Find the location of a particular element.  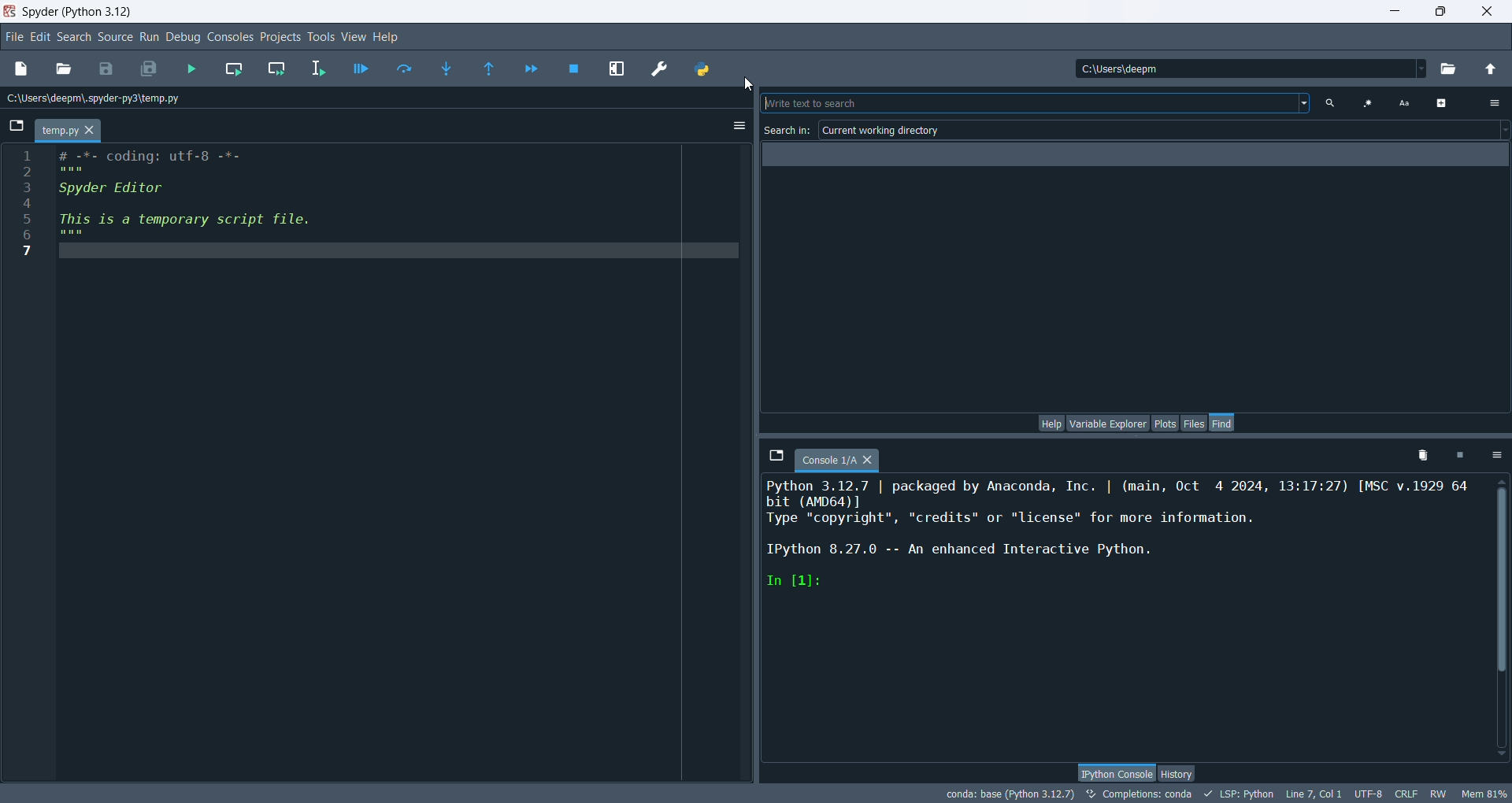

debug is located at coordinates (184, 38).